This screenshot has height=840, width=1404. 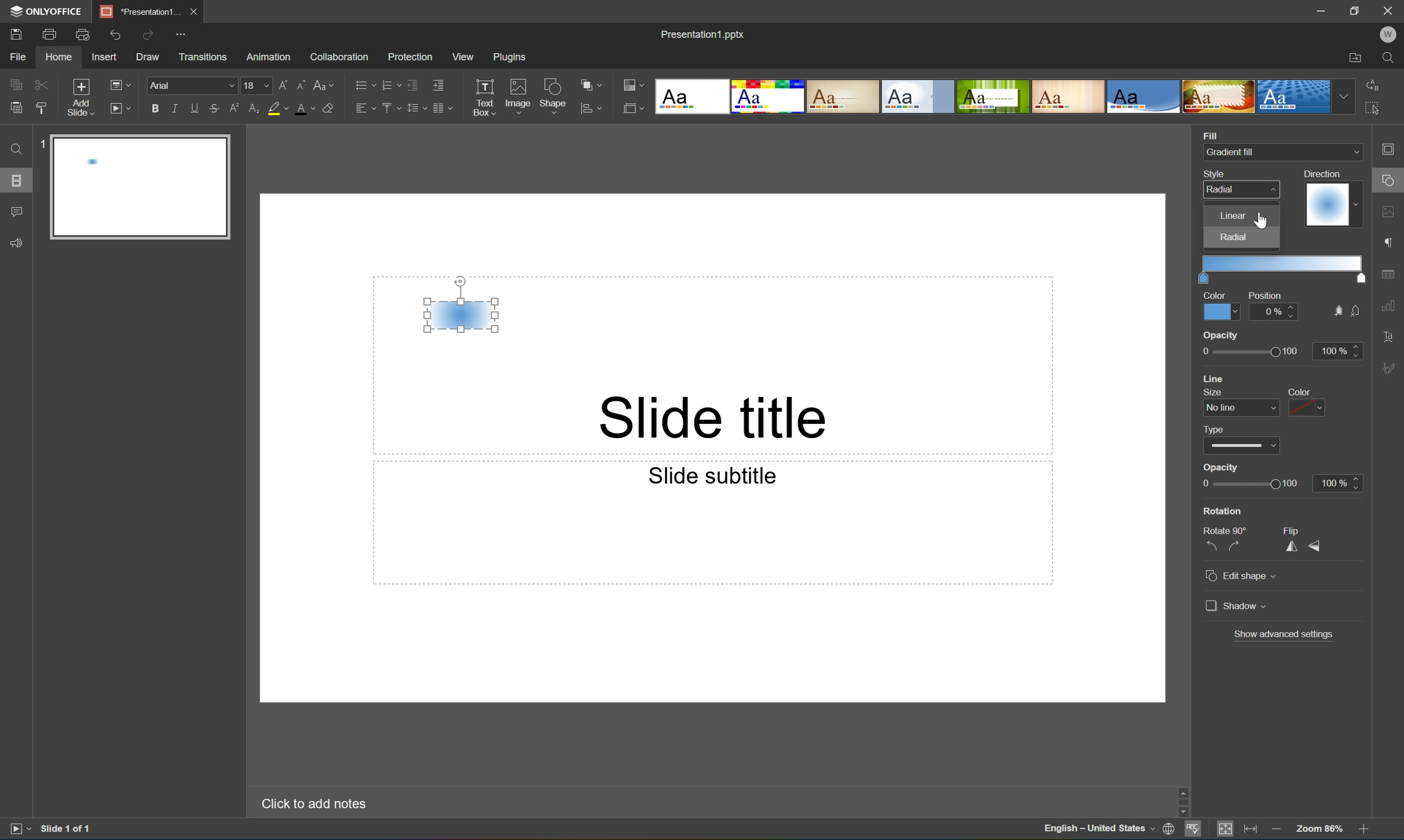 What do you see at coordinates (252, 109) in the screenshot?
I see `Subscript` at bounding box center [252, 109].